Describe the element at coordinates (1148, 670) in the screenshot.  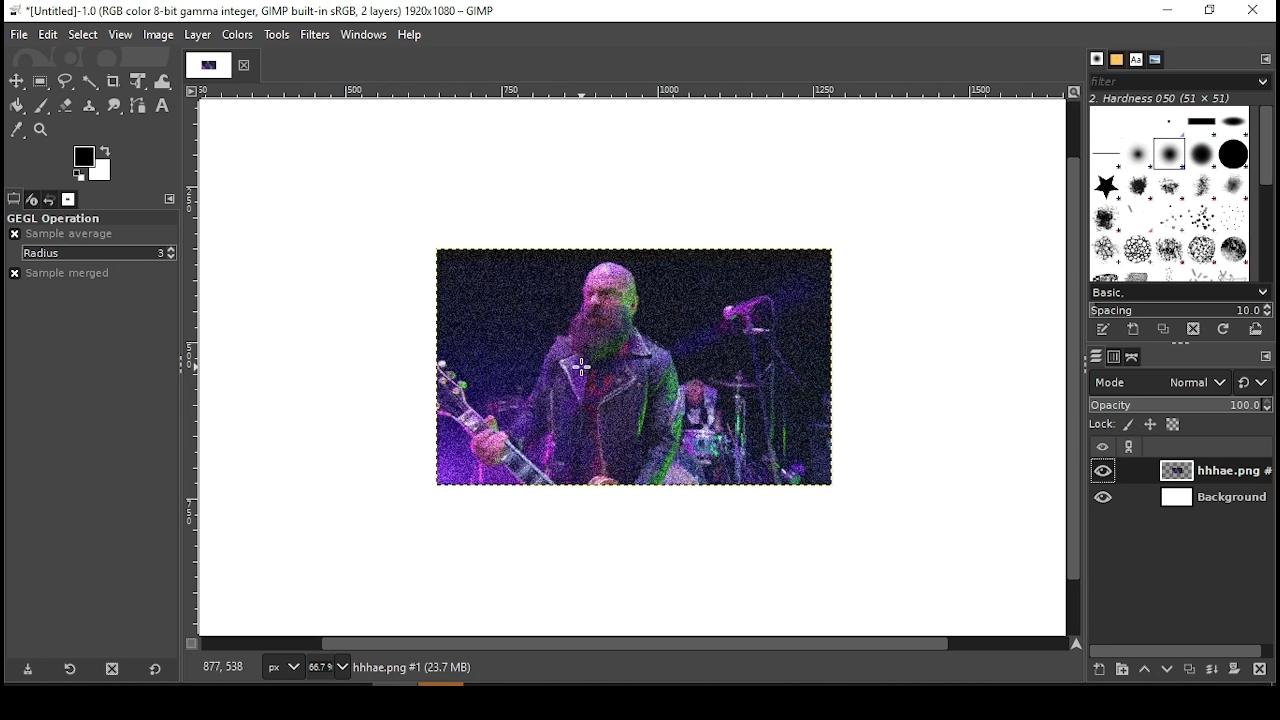
I see `move layer on step up` at that location.